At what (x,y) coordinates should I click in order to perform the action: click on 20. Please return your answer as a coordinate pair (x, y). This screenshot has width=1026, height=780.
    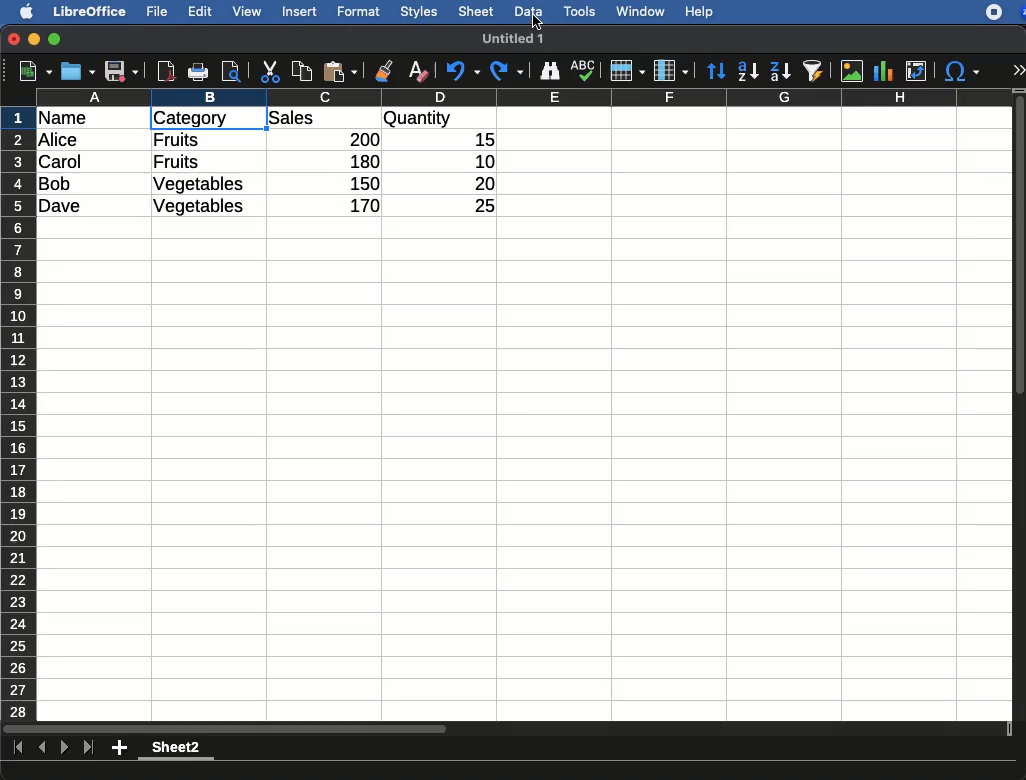
    Looking at the image, I should click on (477, 183).